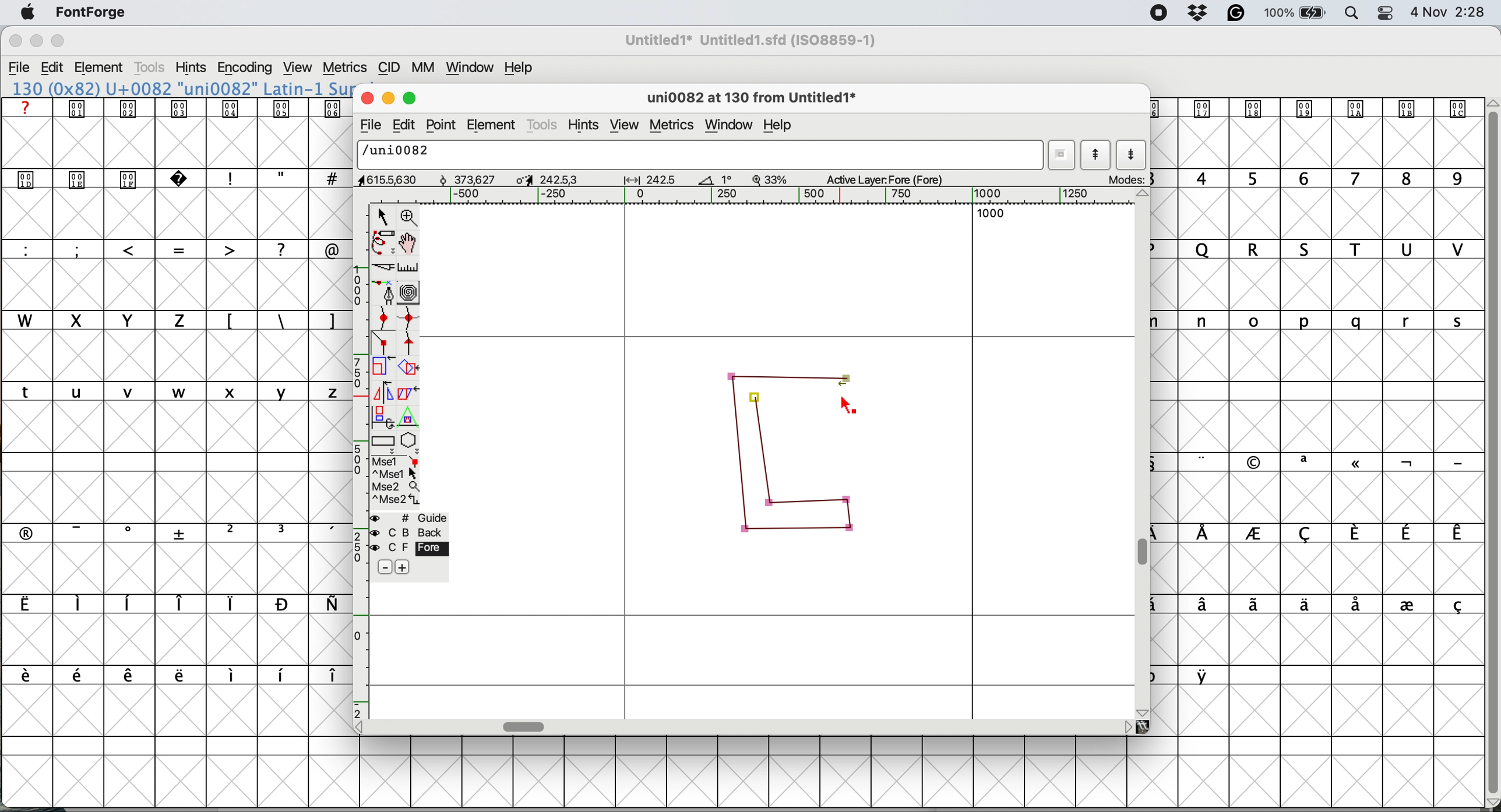  I want to click on file, so click(369, 125).